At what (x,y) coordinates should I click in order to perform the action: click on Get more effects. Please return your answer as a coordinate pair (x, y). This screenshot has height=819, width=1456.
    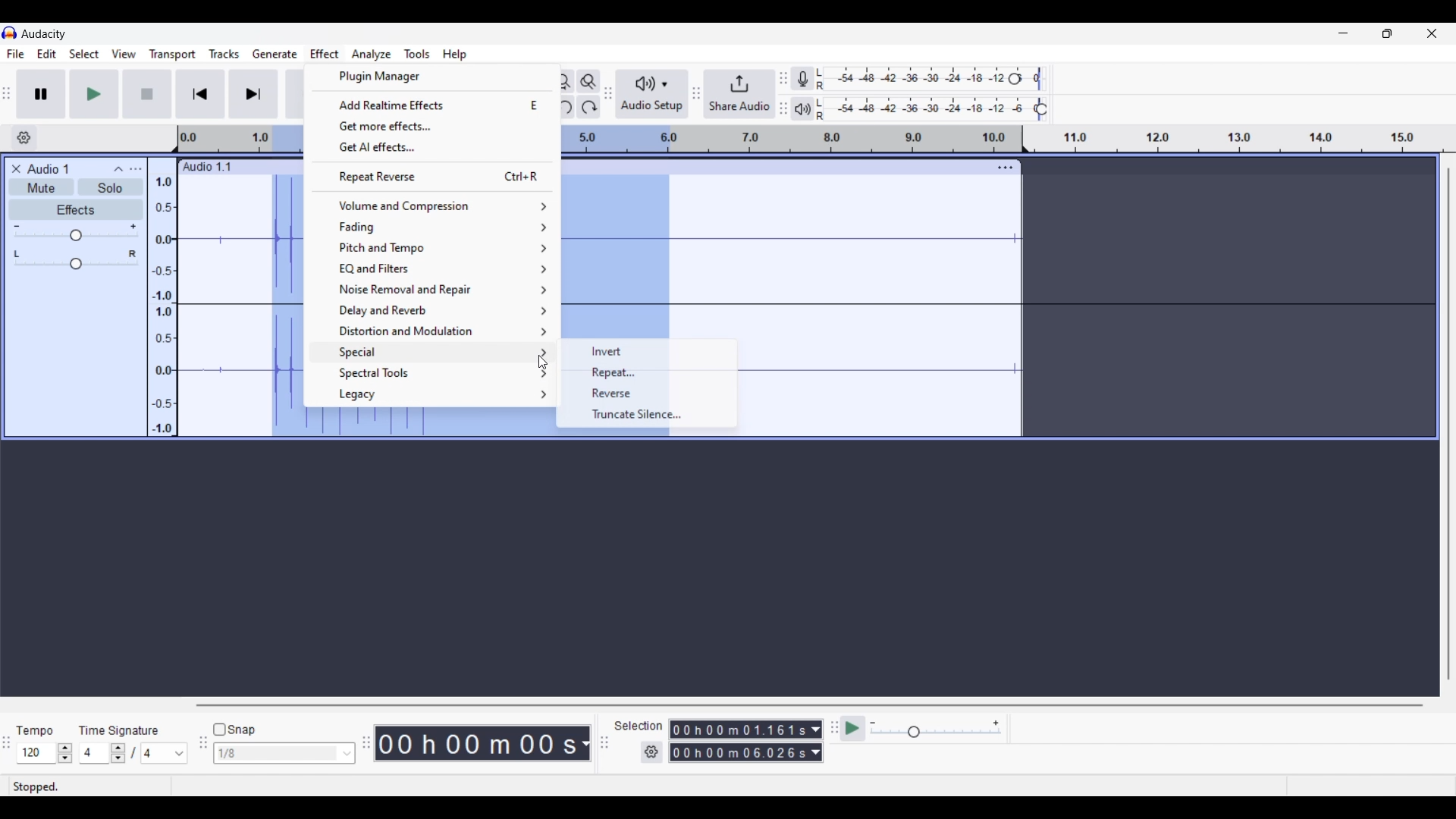
    Looking at the image, I should click on (432, 126).